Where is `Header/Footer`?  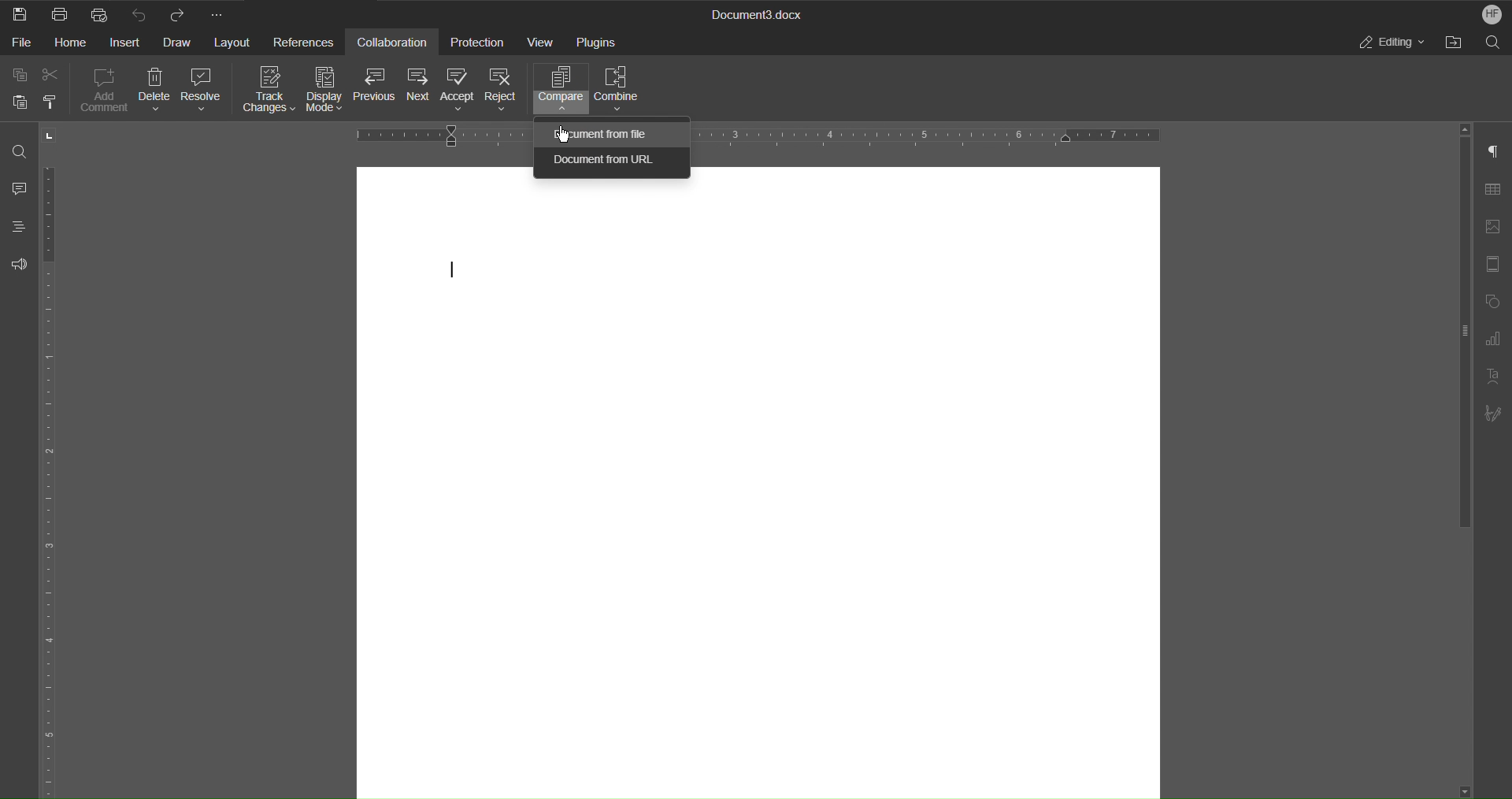 Header/Footer is located at coordinates (1495, 262).